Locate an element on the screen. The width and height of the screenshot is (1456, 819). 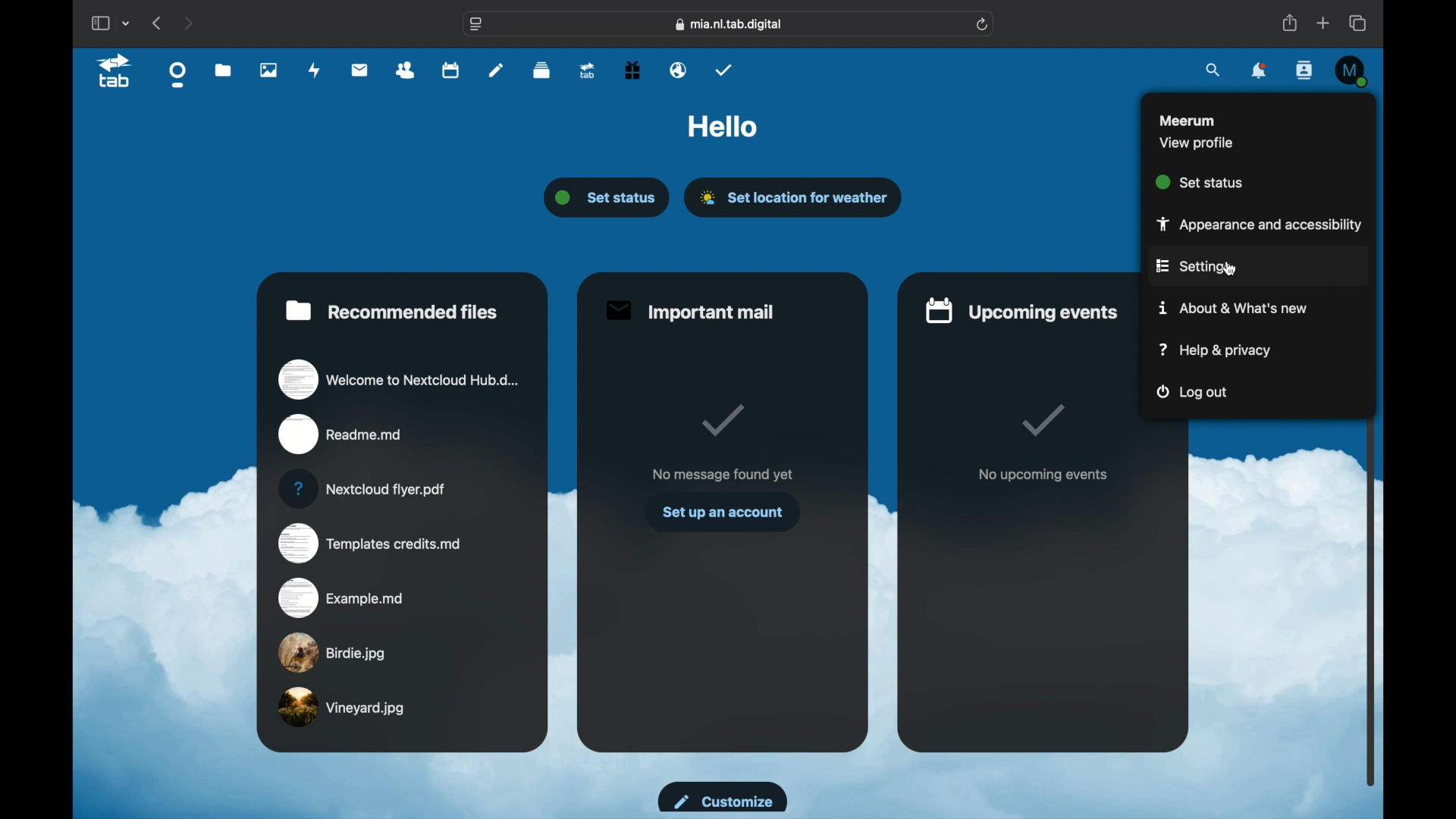
files is located at coordinates (224, 71).